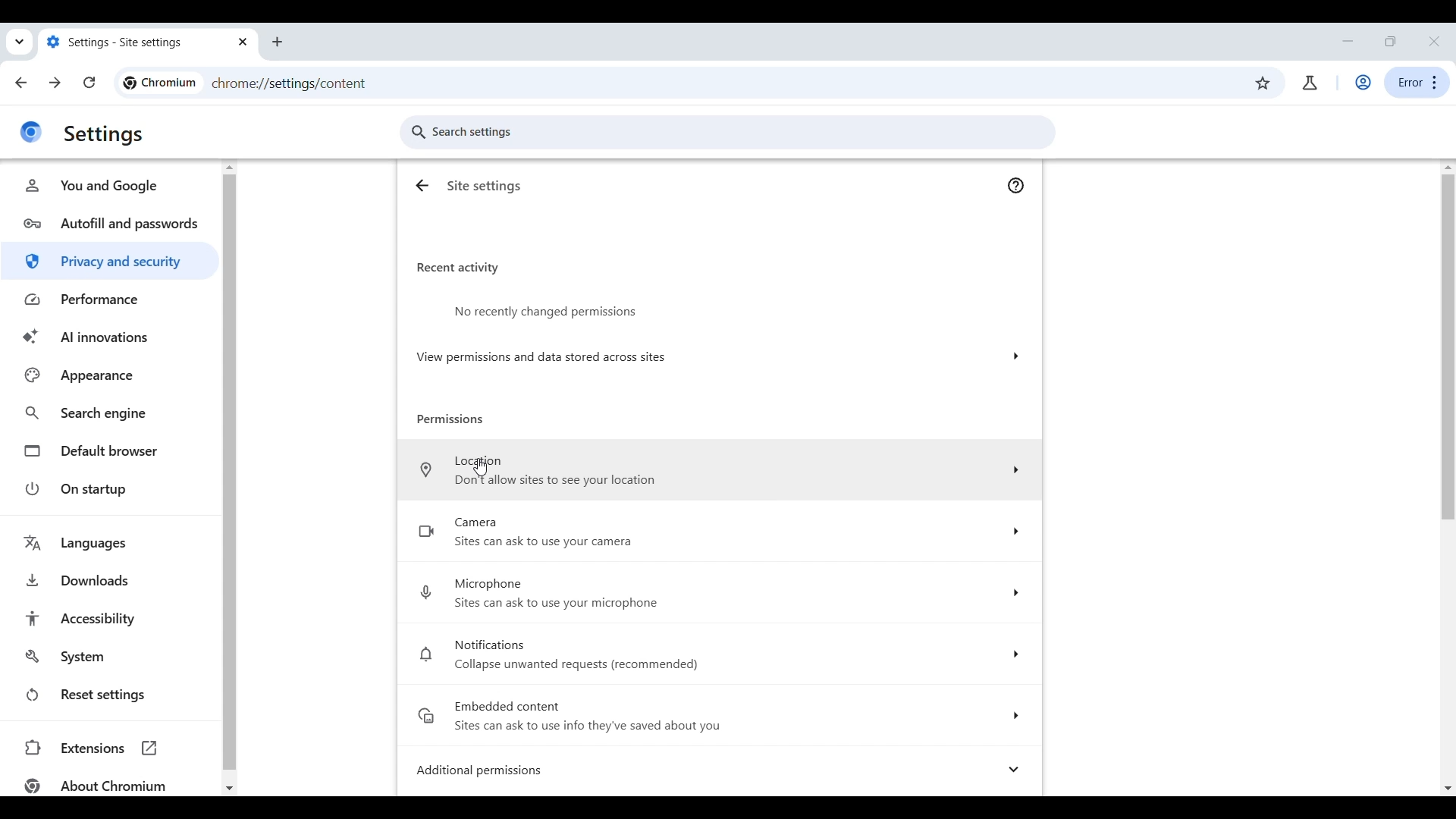  What do you see at coordinates (1417, 83) in the screenshot?
I see `error` at bounding box center [1417, 83].